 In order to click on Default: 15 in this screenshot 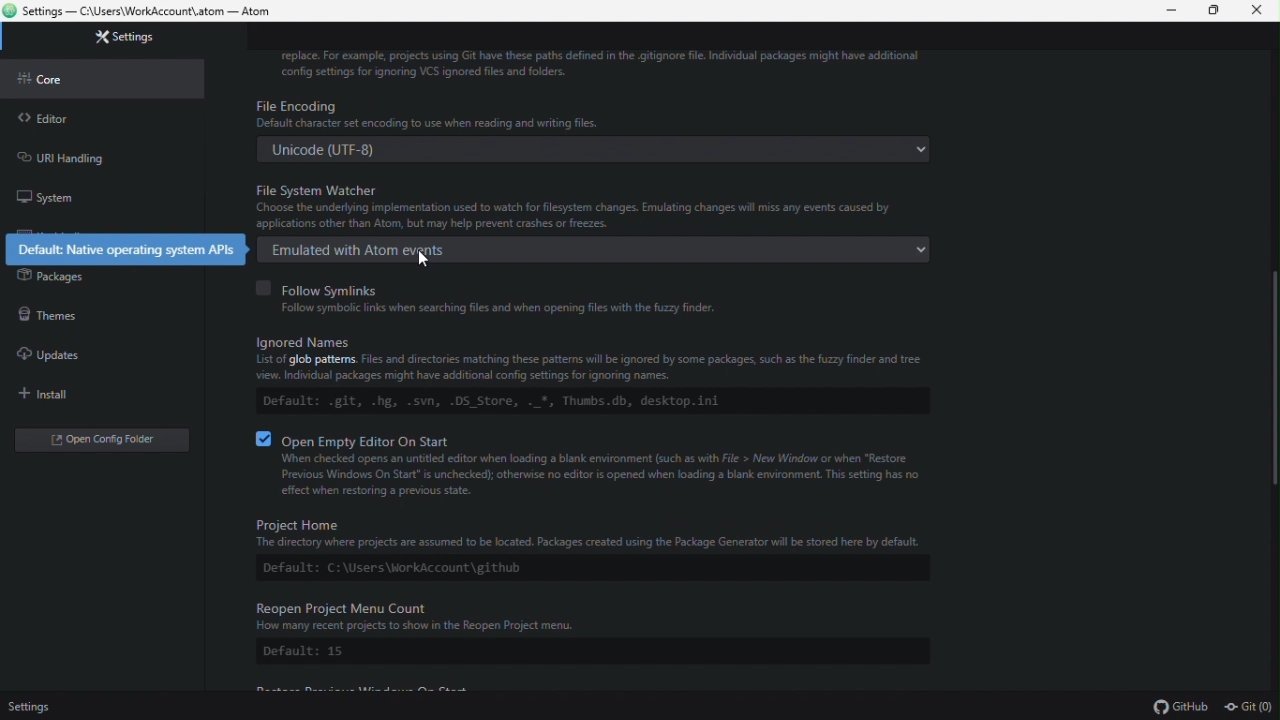, I will do `click(308, 654)`.